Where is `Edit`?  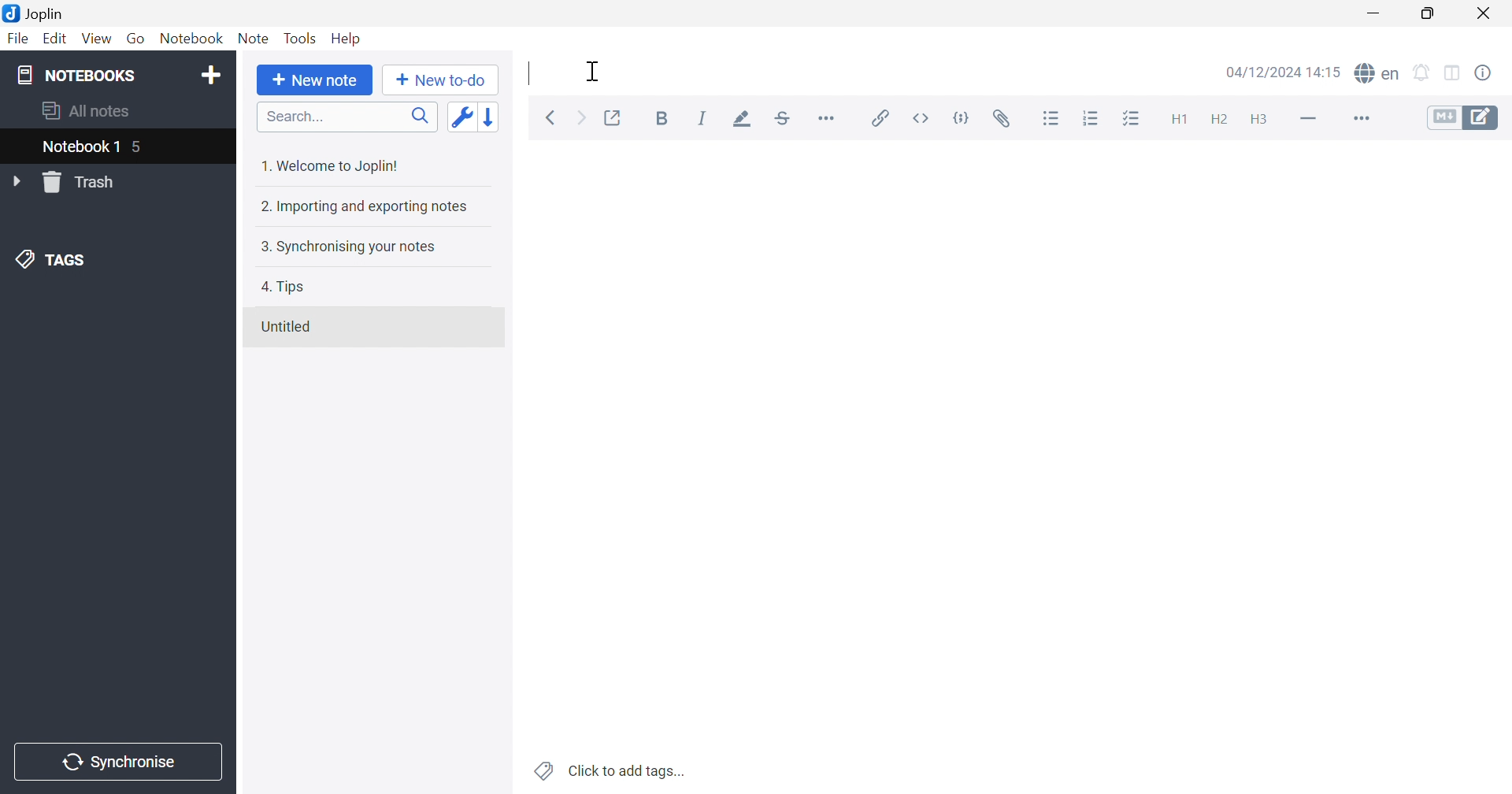
Edit is located at coordinates (53, 39).